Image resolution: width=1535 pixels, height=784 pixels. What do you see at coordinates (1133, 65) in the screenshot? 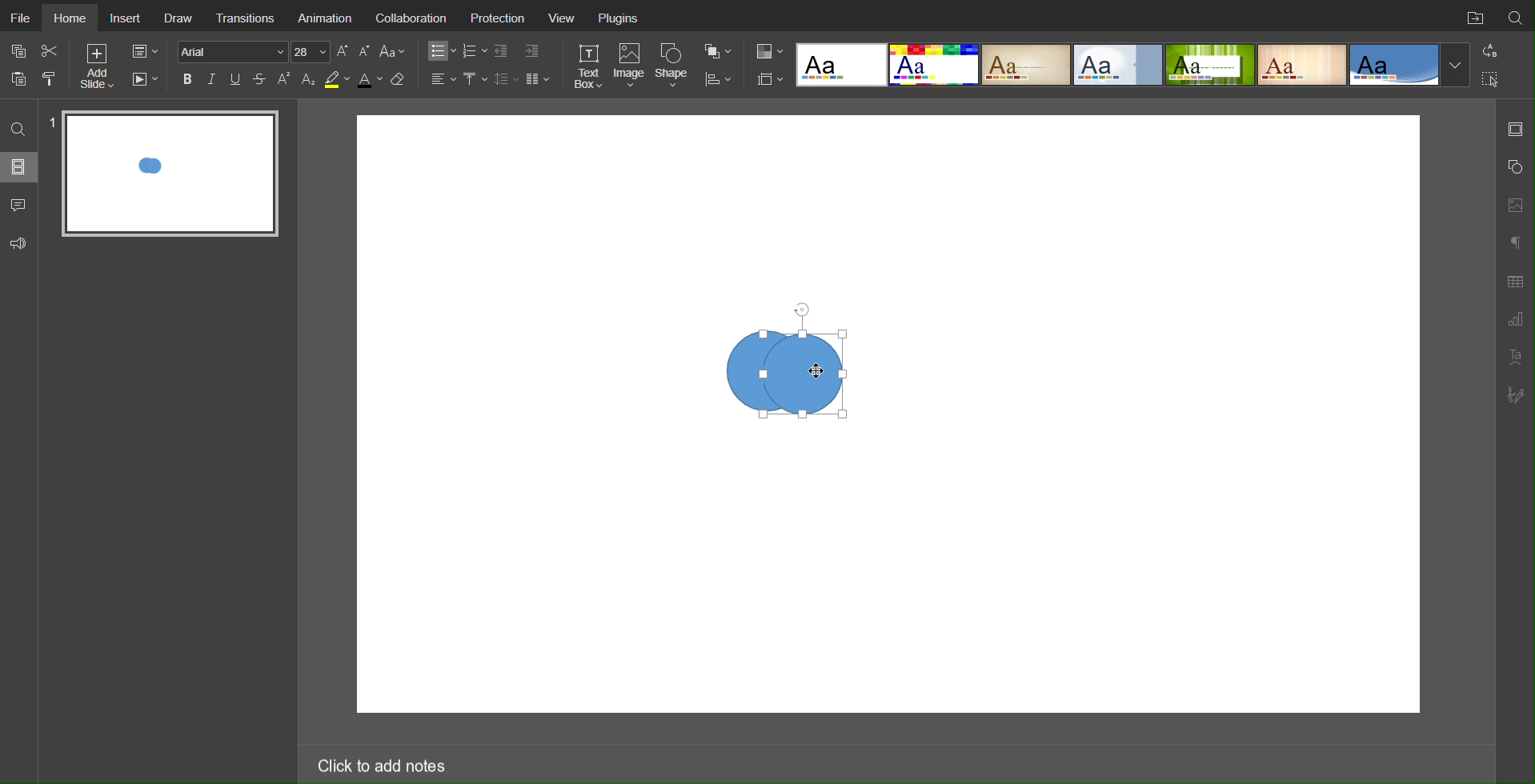
I see `Templates` at bounding box center [1133, 65].